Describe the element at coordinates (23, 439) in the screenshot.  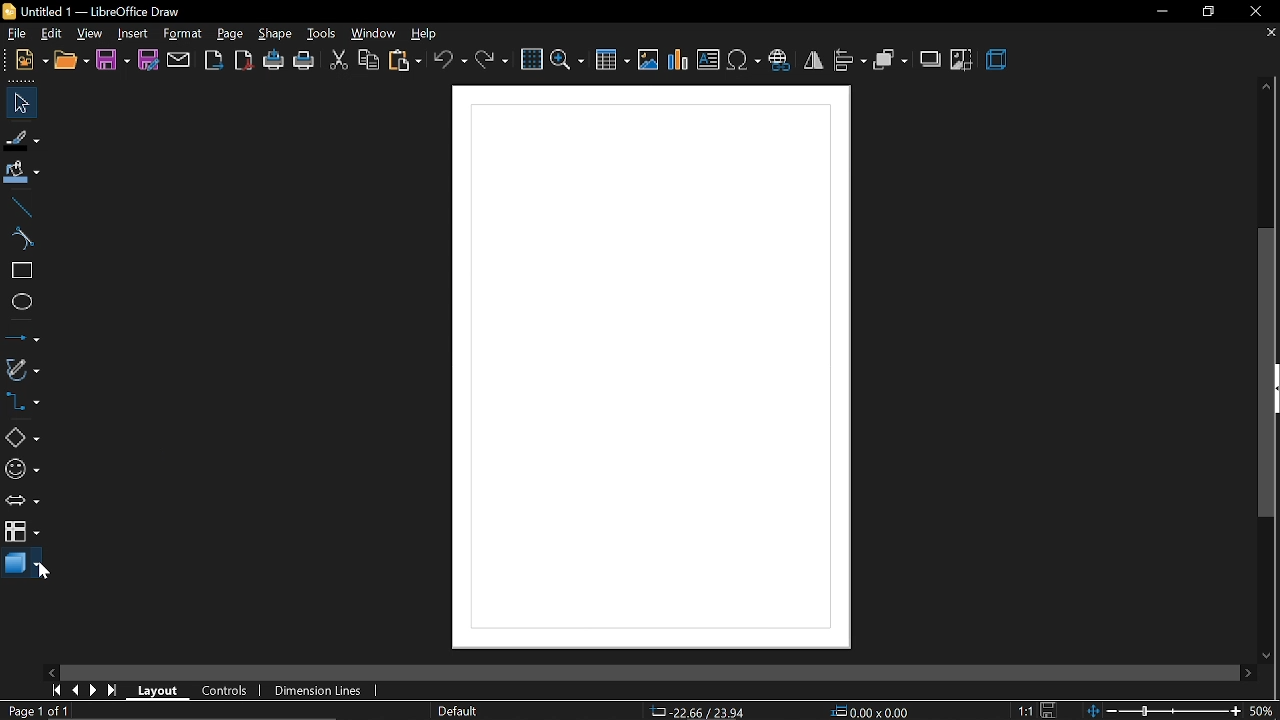
I see `basic shapes` at that location.